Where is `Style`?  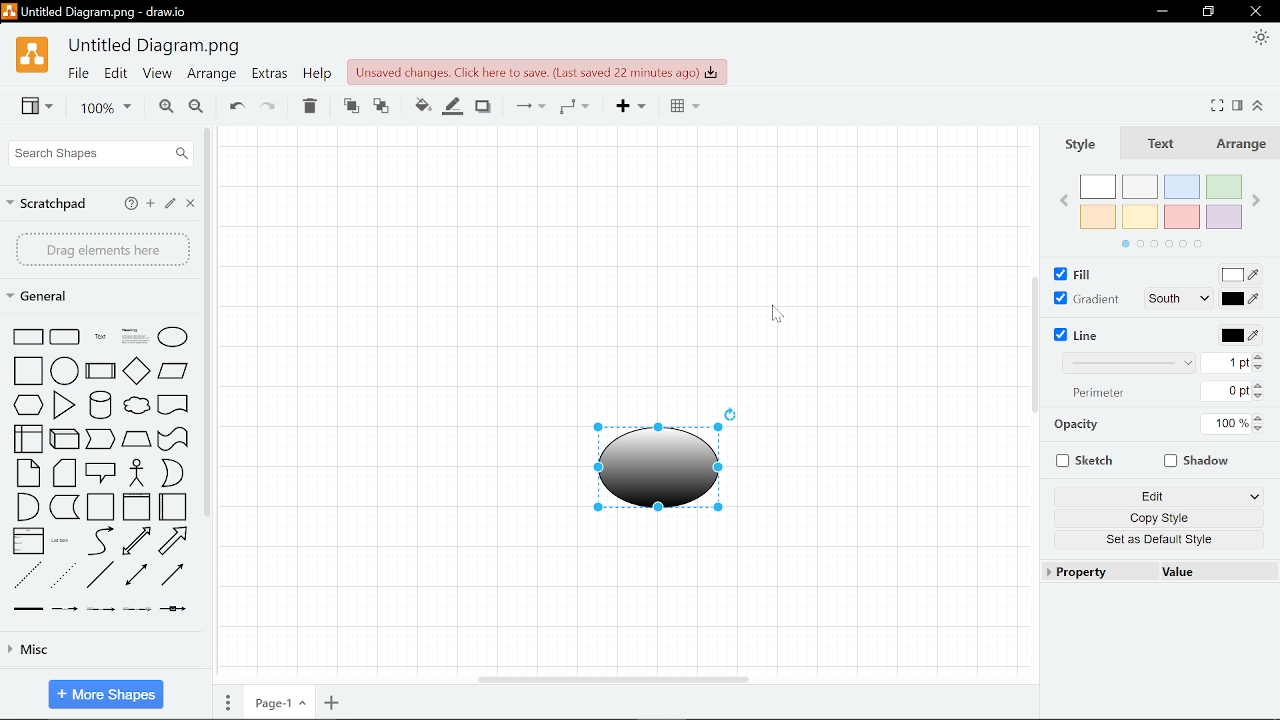
Style is located at coordinates (1079, 146).